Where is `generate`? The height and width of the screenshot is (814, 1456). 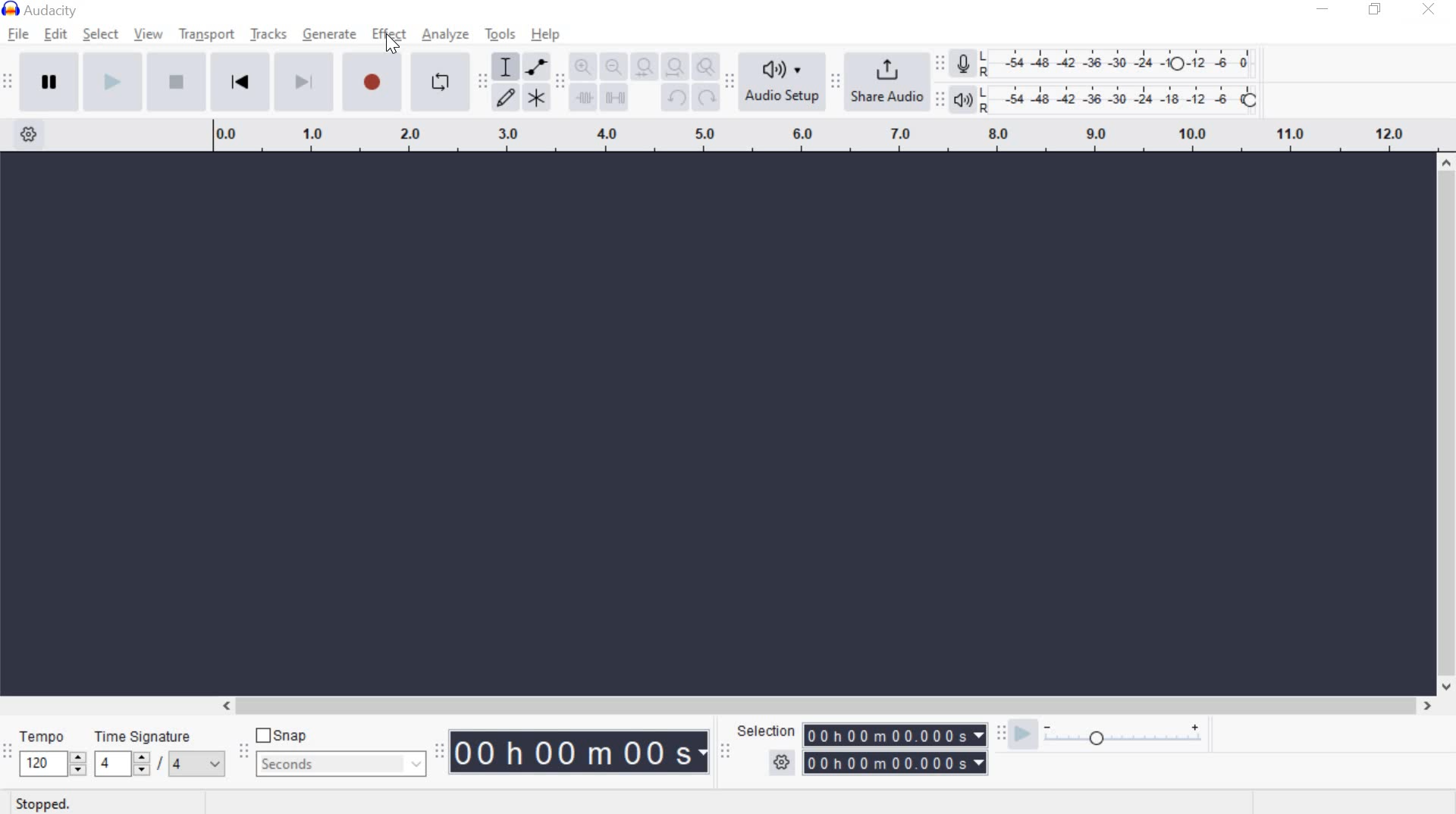
generate is located at coordinates (326, 36).